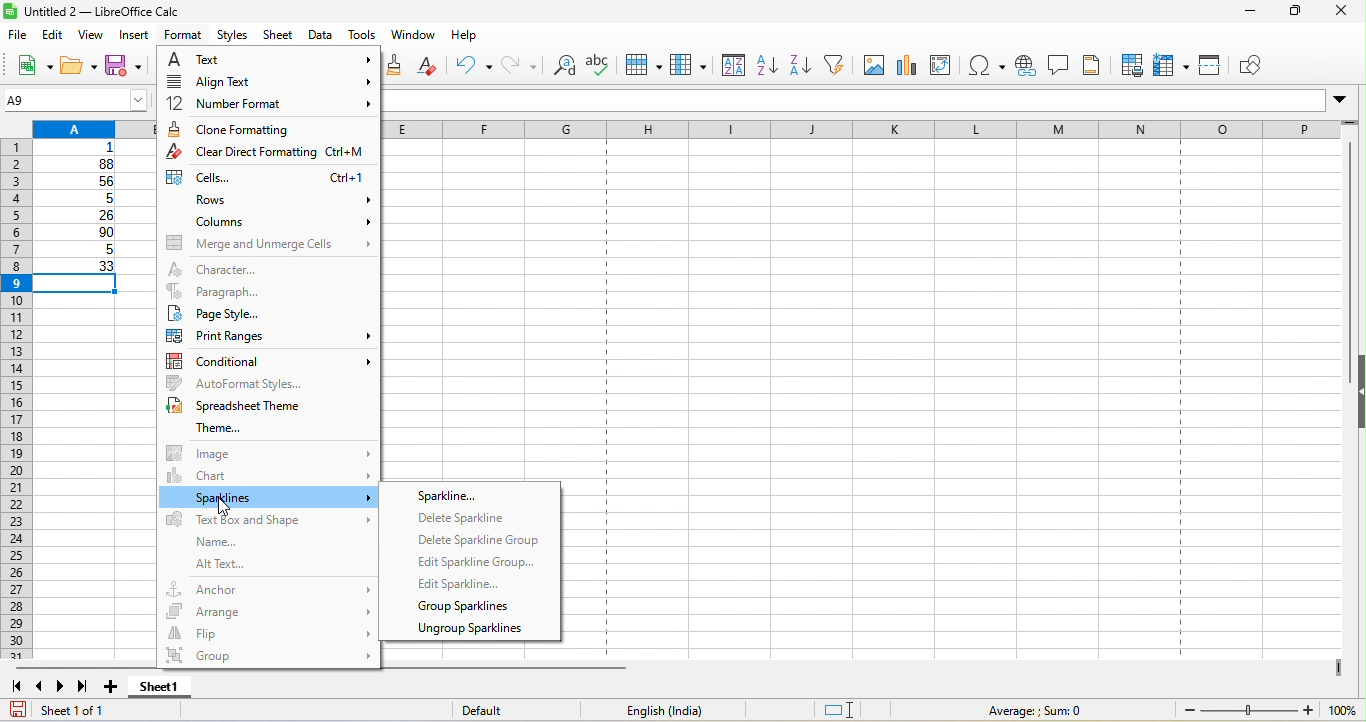 Image resolution: width=1366 pixels, height=722 pixels. Describe the element at coordinates (872, 64) in the screenshot. I see `image` at that location.